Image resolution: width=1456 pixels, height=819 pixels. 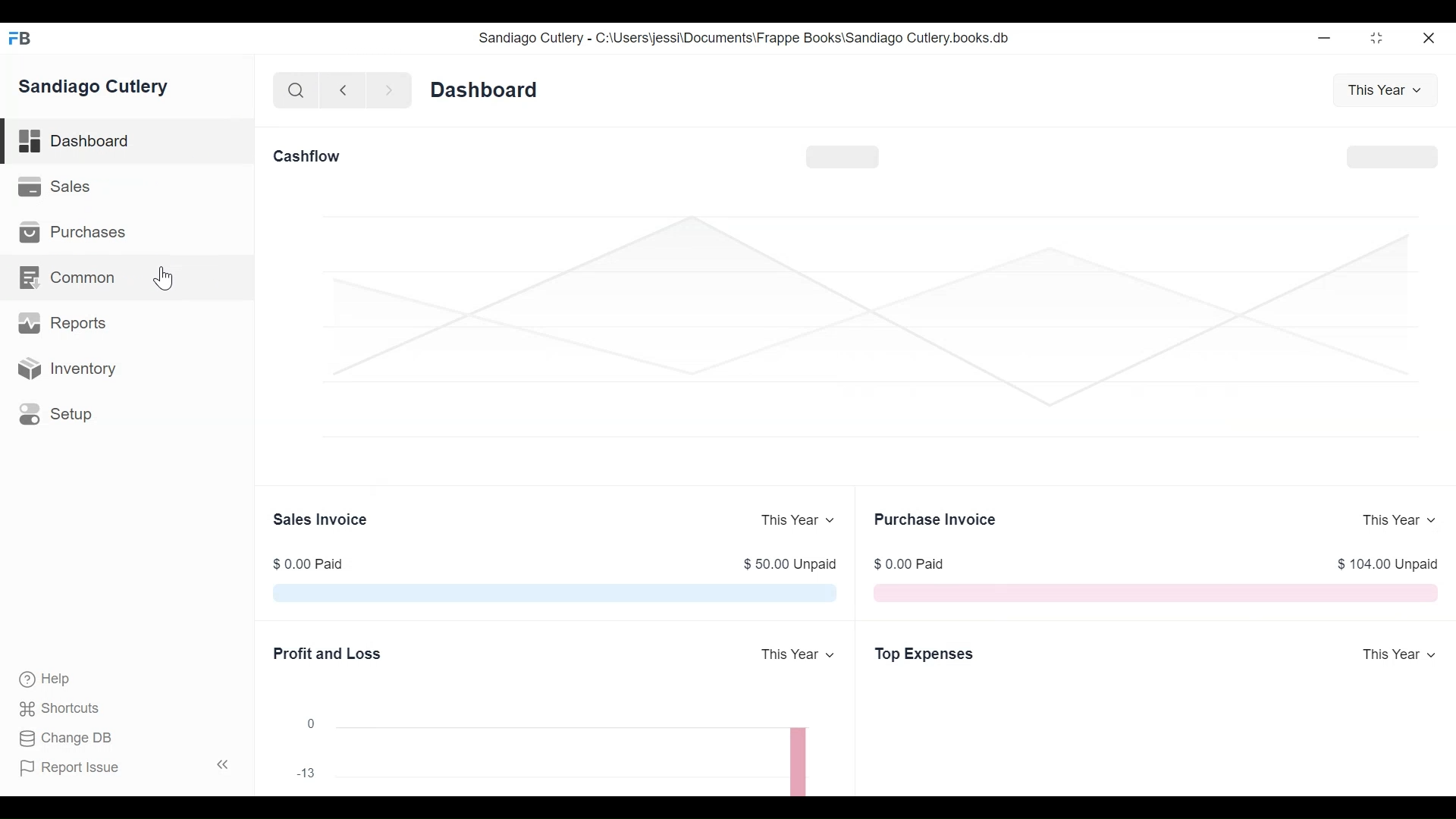 I want to click on Profit and Loss, so click(x=328, y=652).